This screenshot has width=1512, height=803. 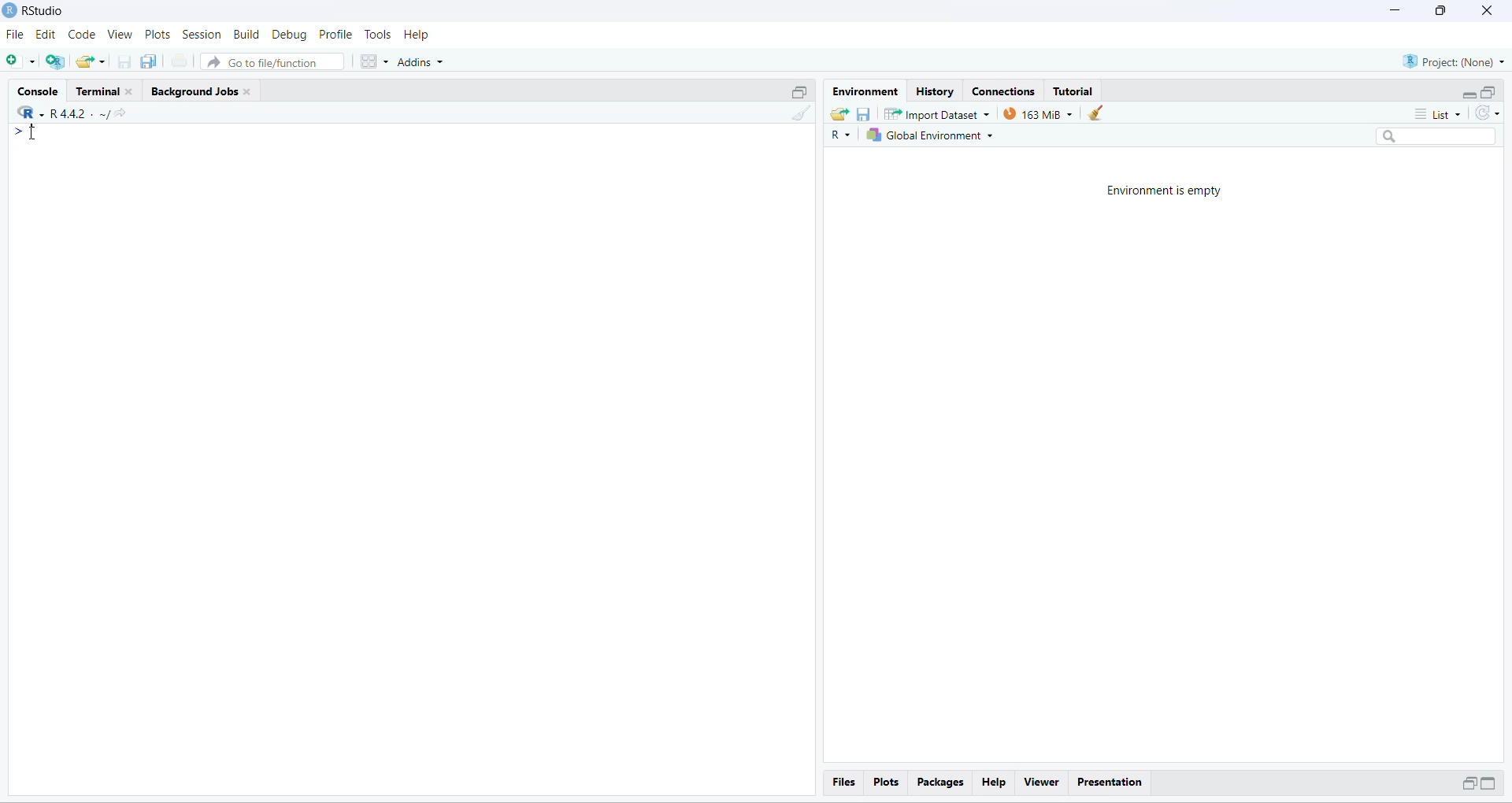 What do you see at coordinates (1488, 92) in the screenshot?
I see `maximize` at bounding box center [1488, 92].